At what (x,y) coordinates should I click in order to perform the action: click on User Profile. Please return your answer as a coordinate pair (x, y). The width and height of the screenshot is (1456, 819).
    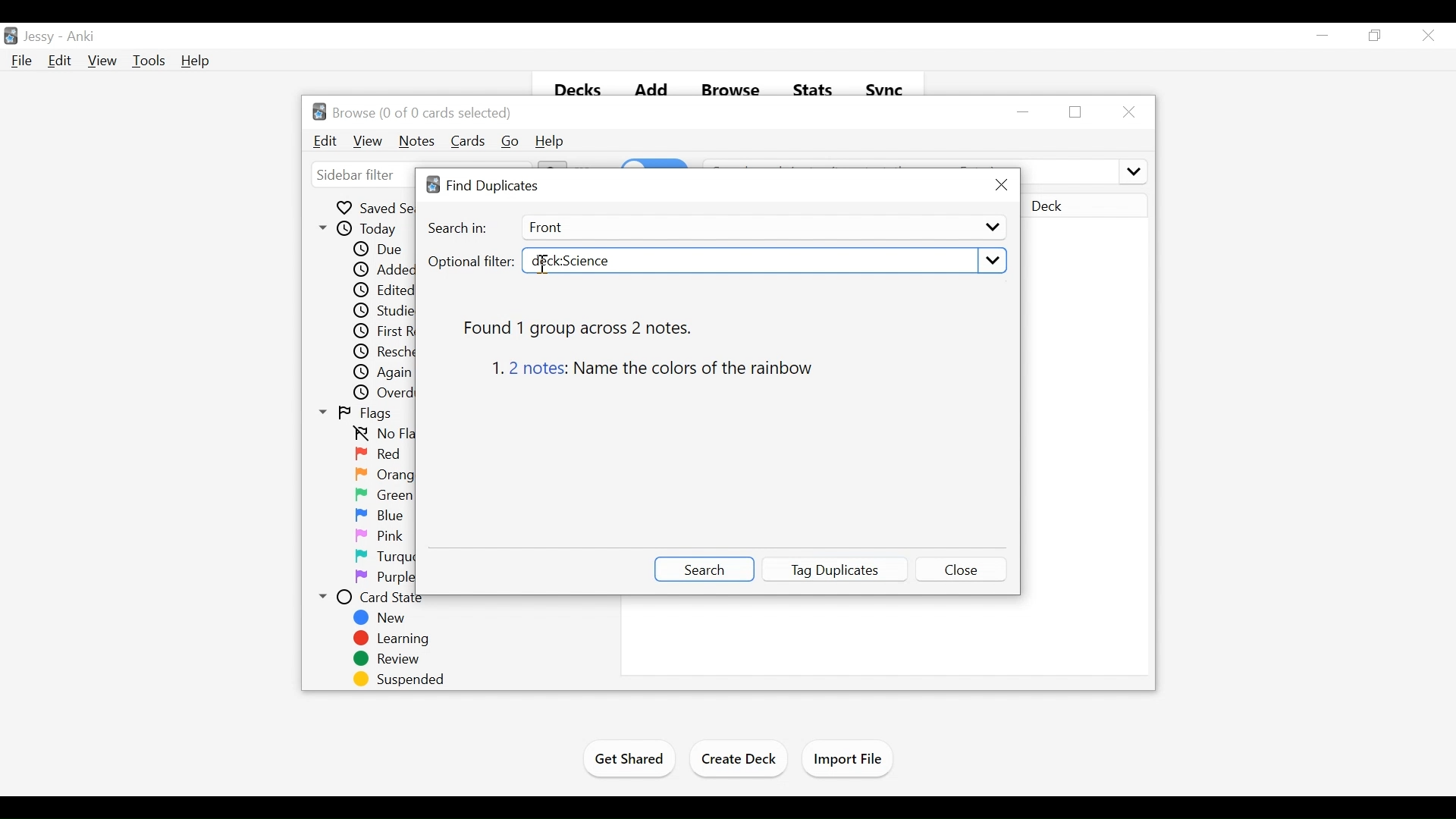
    Looking at the image, I should click on (39, 37).